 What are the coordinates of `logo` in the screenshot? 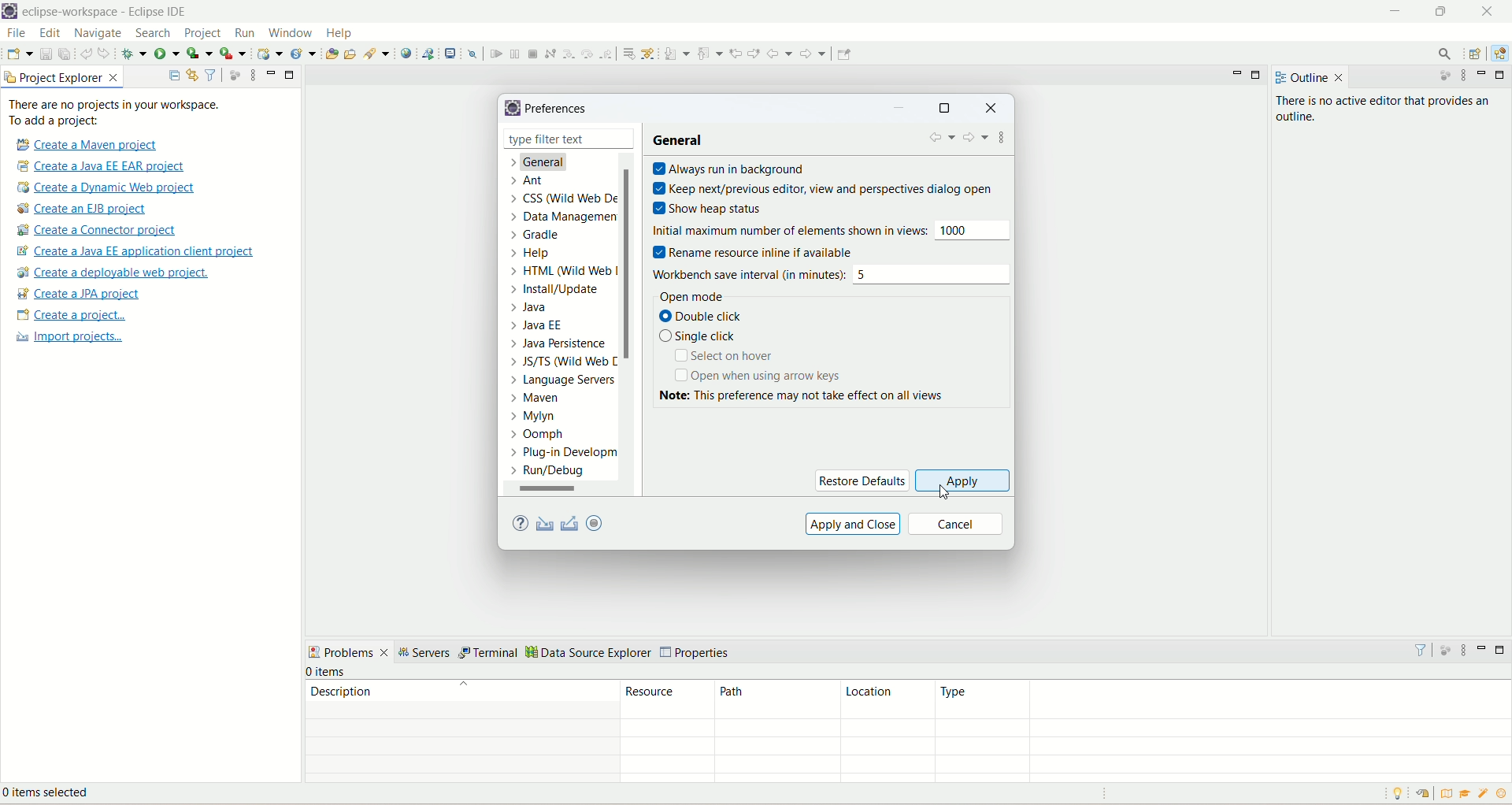 It's located at (10, 12).